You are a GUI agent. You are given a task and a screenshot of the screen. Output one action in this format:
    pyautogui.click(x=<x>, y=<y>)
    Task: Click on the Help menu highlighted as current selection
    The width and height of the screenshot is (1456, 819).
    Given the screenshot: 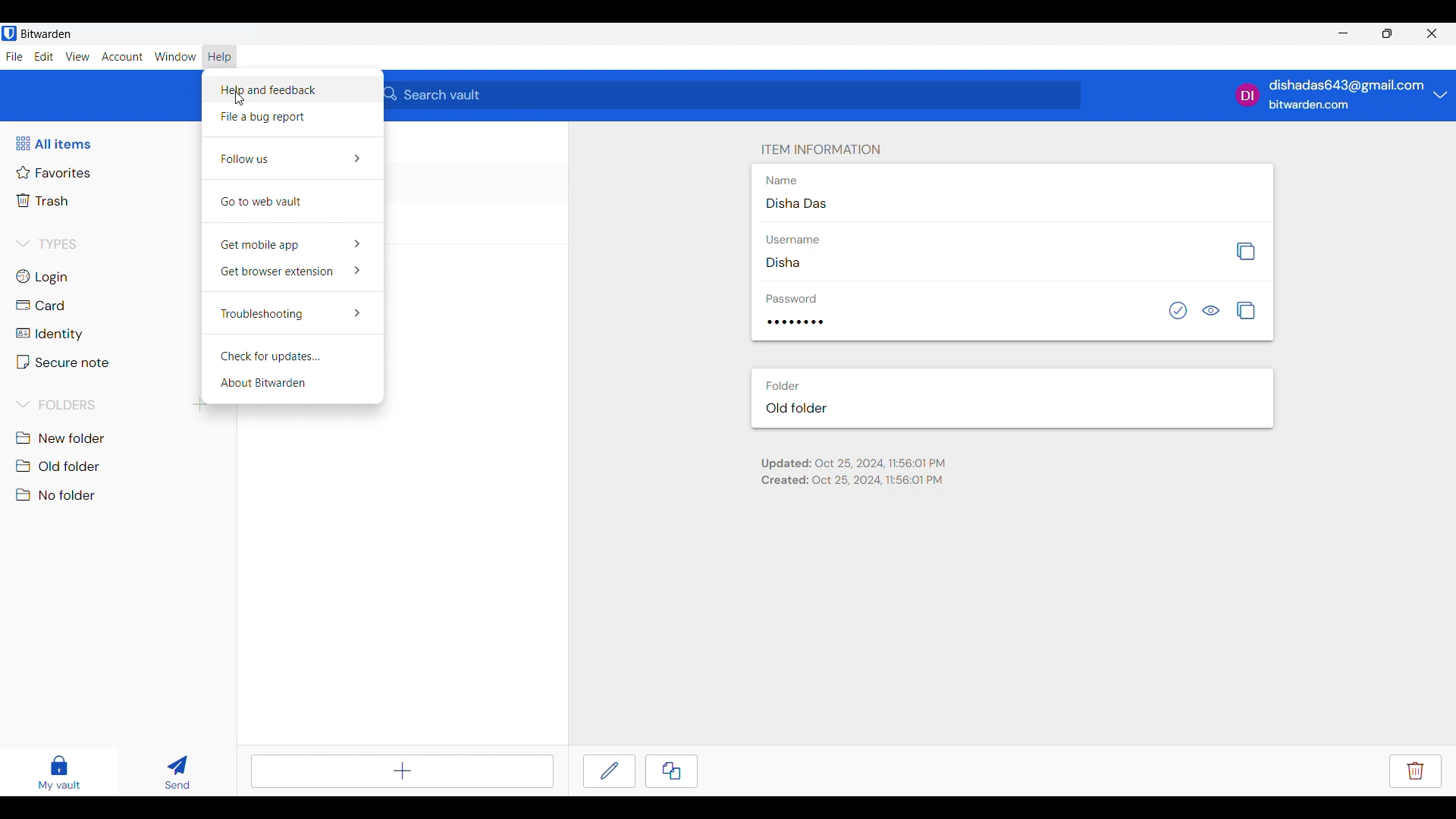 What is the action you would take?
    pyautogui.click(x=220, y=56)
    